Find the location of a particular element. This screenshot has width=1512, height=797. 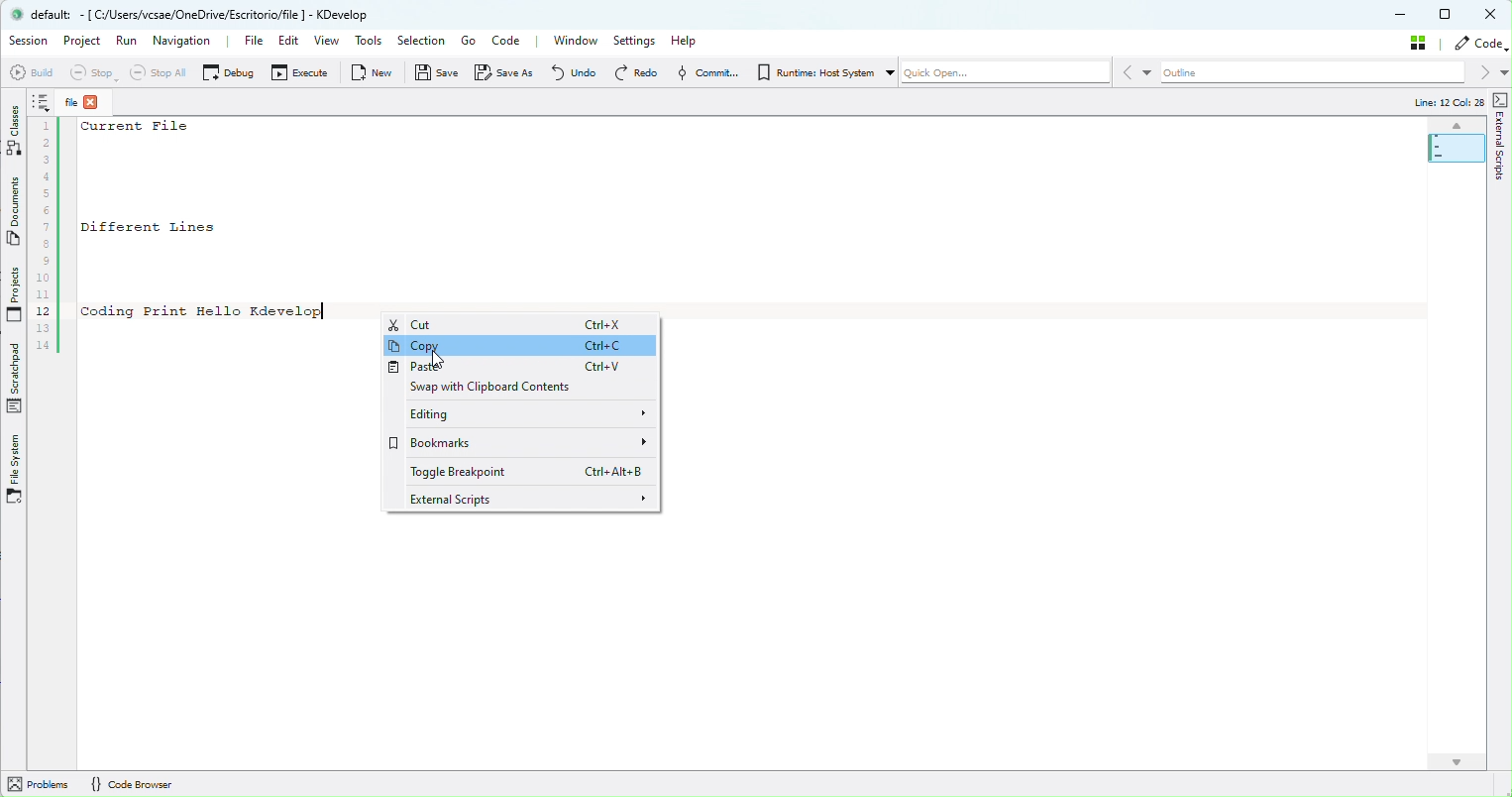

Tools is located at coordinates (370, 42).